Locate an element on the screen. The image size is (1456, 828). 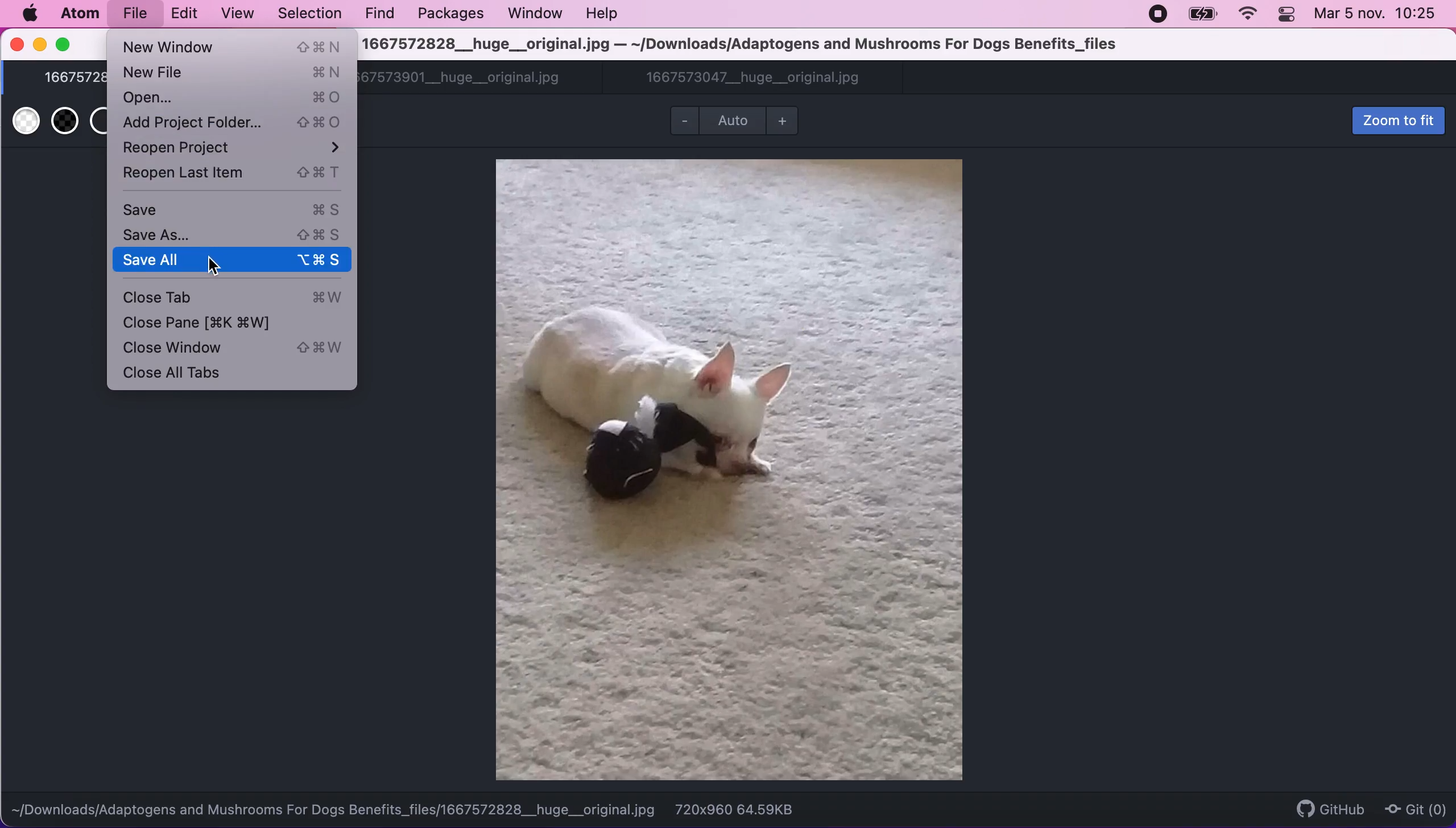
zoom in is located at coordinates (784, 122).